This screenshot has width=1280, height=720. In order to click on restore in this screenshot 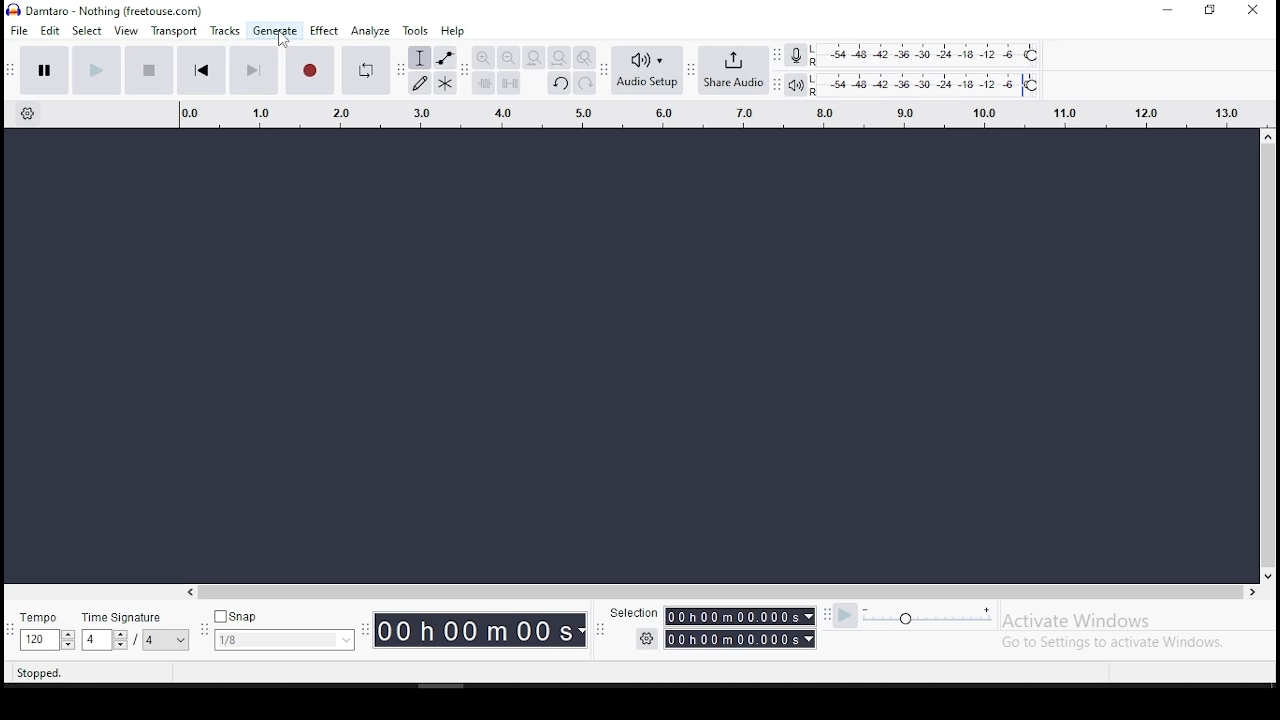, I will do `click(1212, 10)`.